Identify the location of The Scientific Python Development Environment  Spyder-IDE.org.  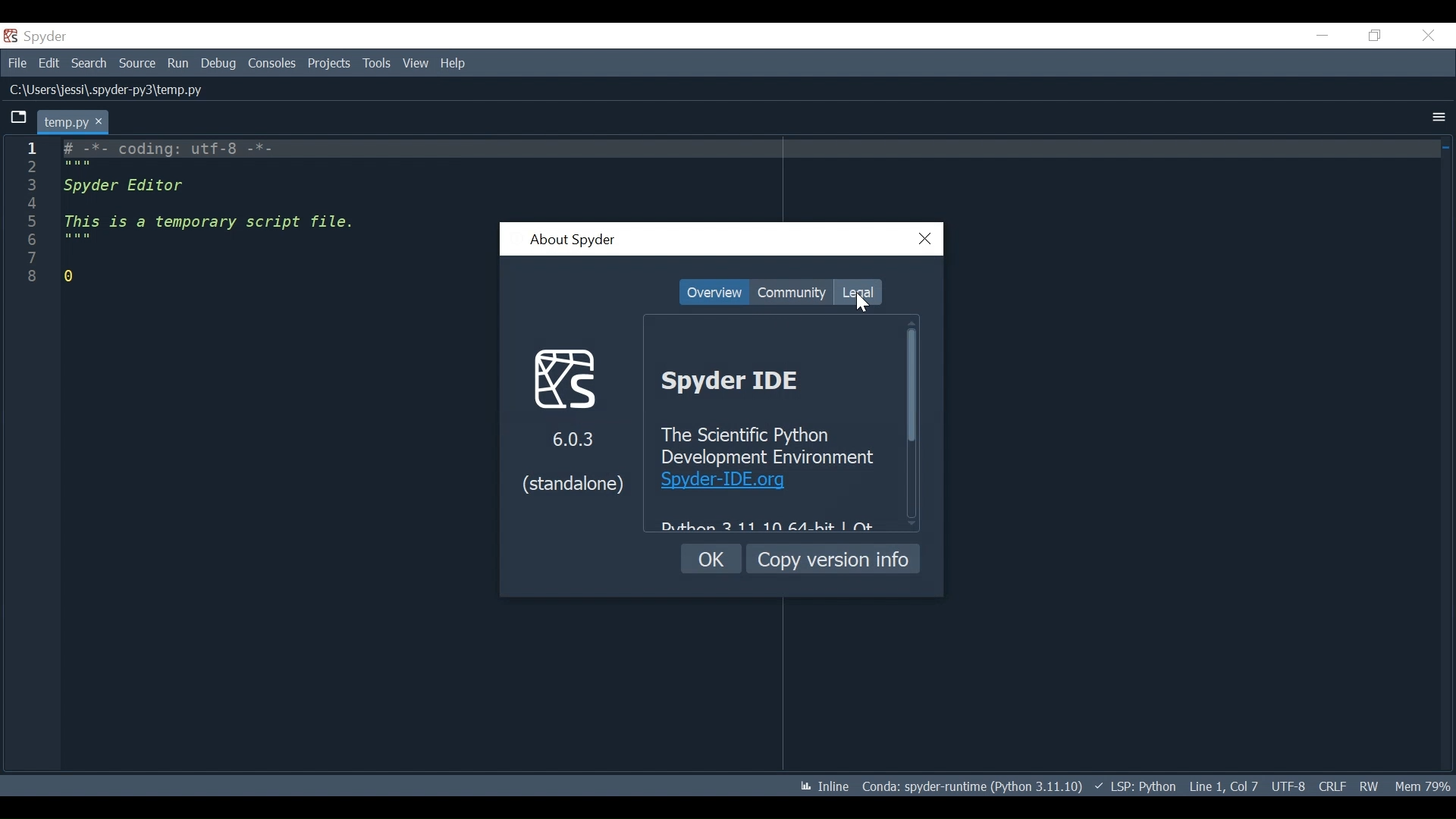
(774, 458).